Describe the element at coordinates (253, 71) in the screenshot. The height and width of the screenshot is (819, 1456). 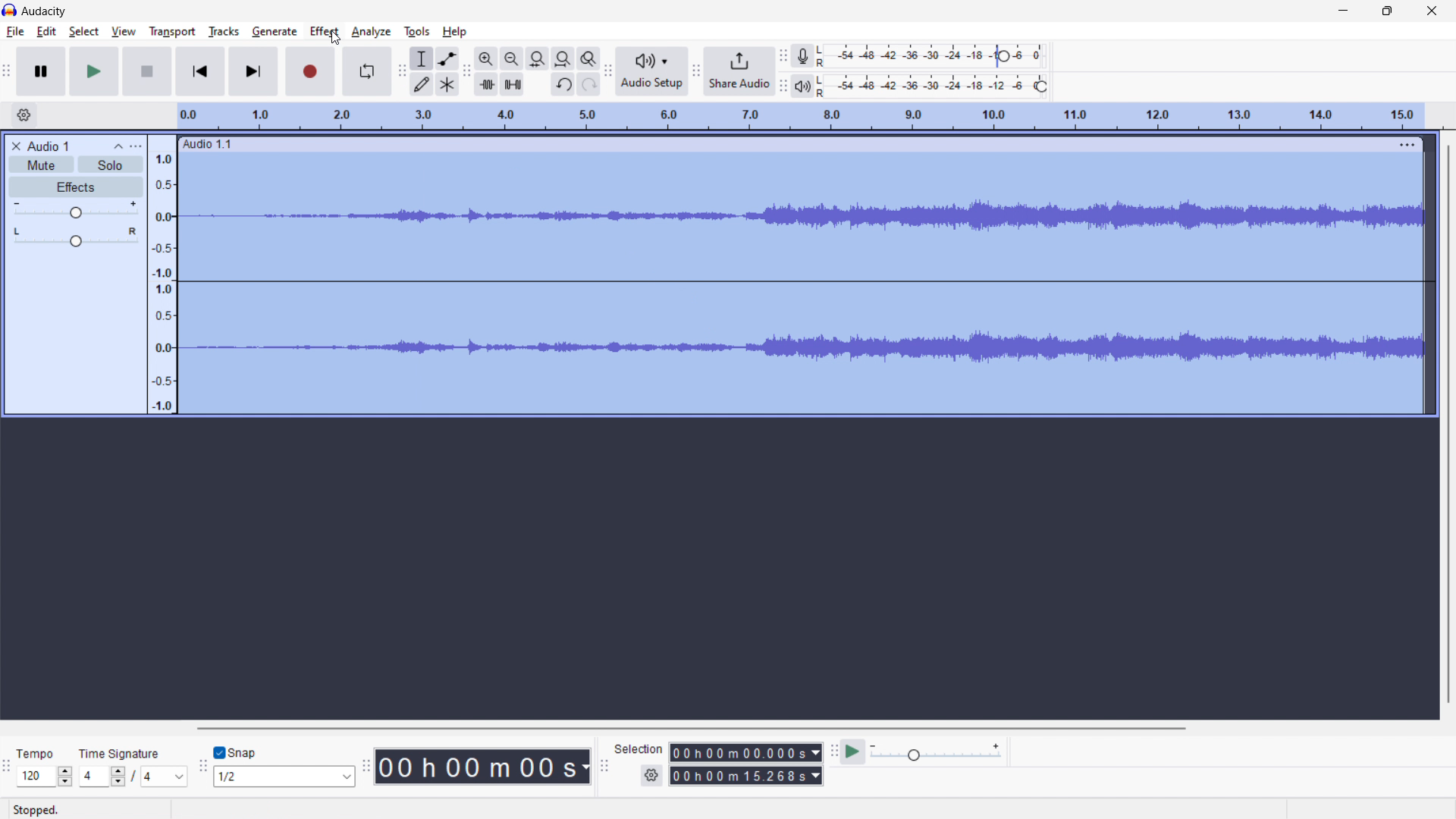
I see `skip to end` at that location.